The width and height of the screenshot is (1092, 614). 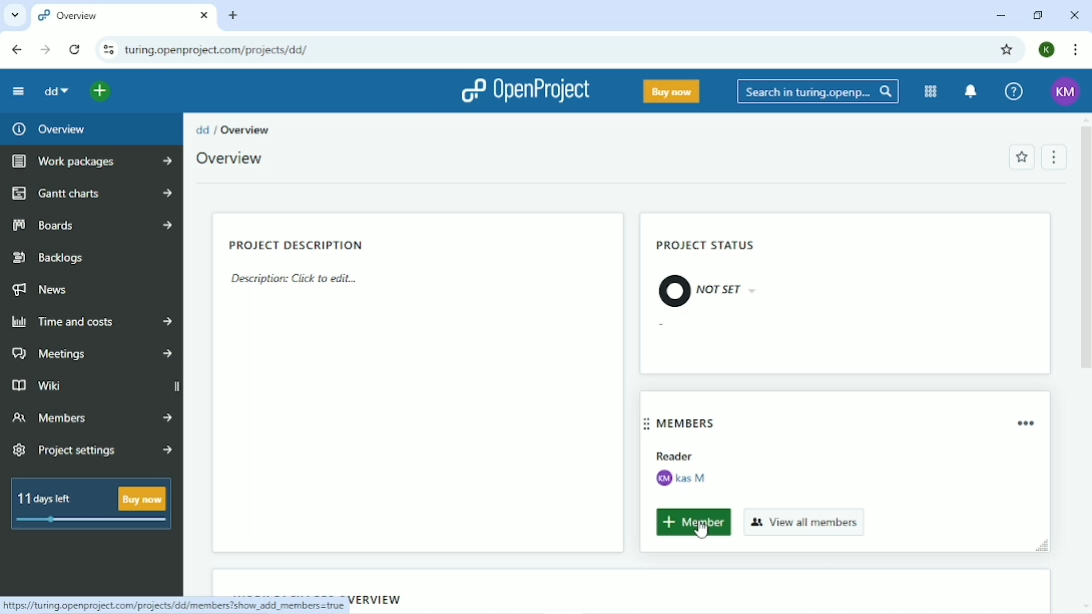 What do you see at coordinates (814, 92) in the screenshot?
I see `Search ` at bounding box center [814, 92].